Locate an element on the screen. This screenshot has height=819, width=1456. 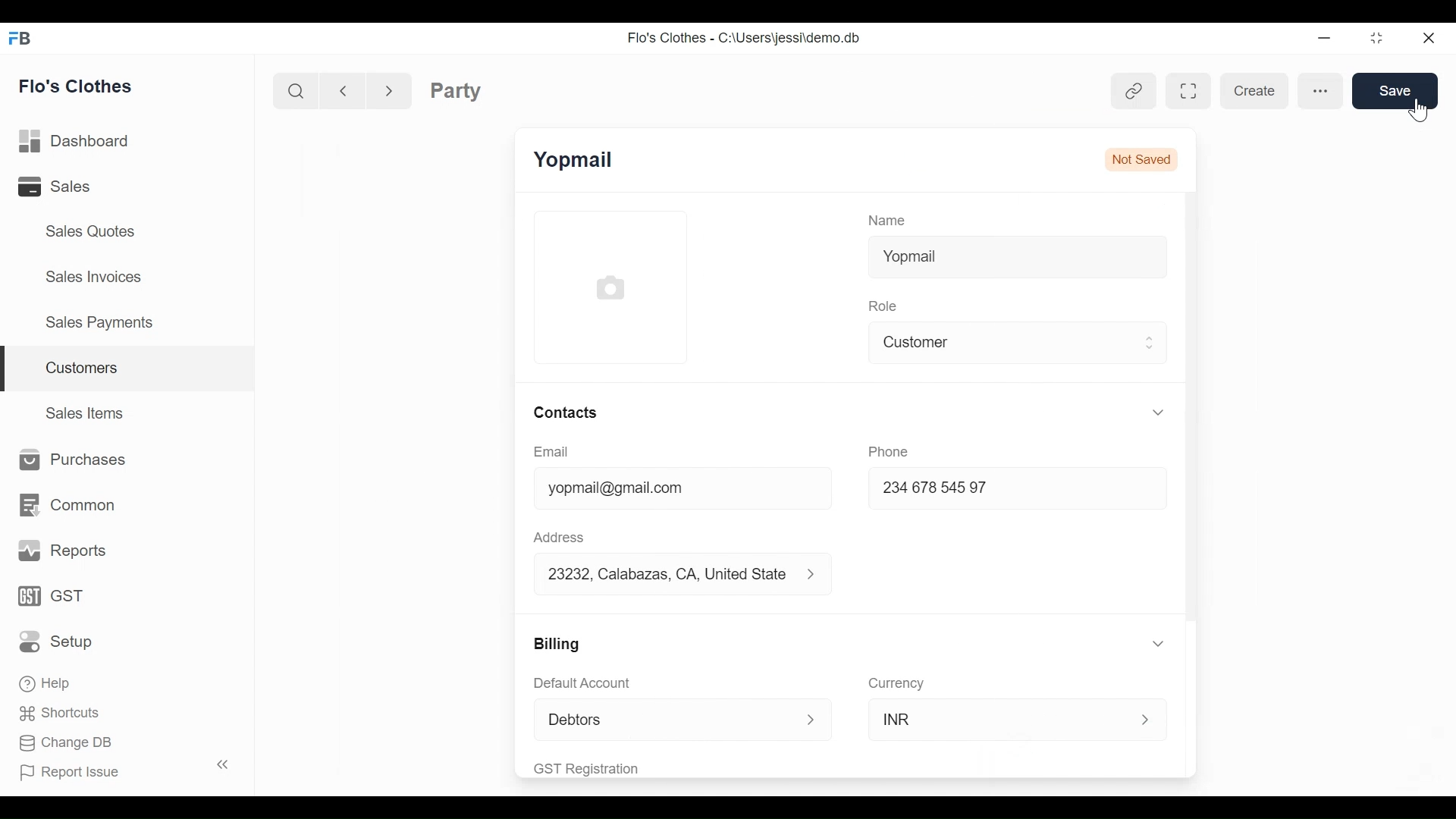
Email is located at coordinates (551, 452).